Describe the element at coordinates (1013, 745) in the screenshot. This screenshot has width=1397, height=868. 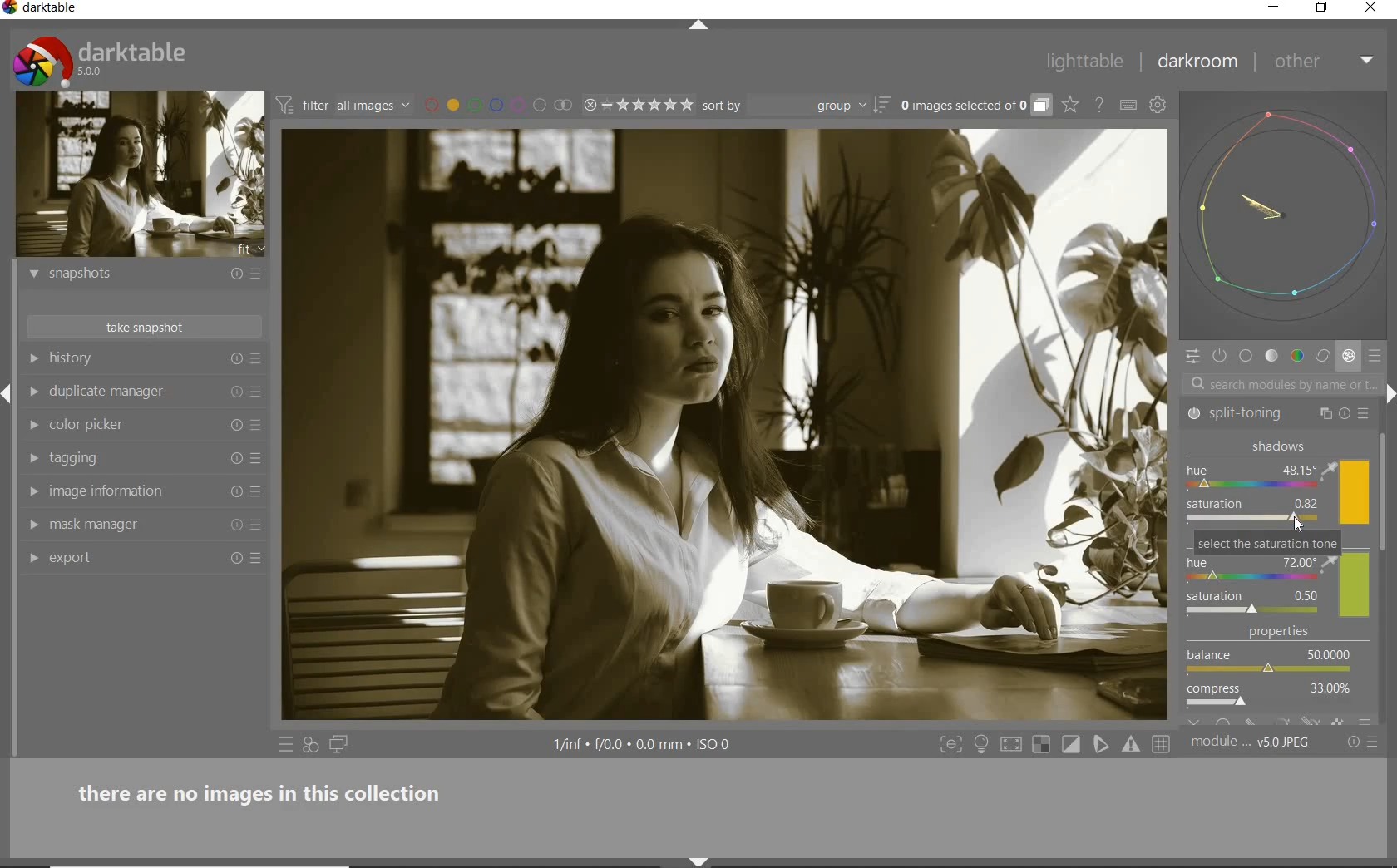
I see `toggle high quality processing` at that location.